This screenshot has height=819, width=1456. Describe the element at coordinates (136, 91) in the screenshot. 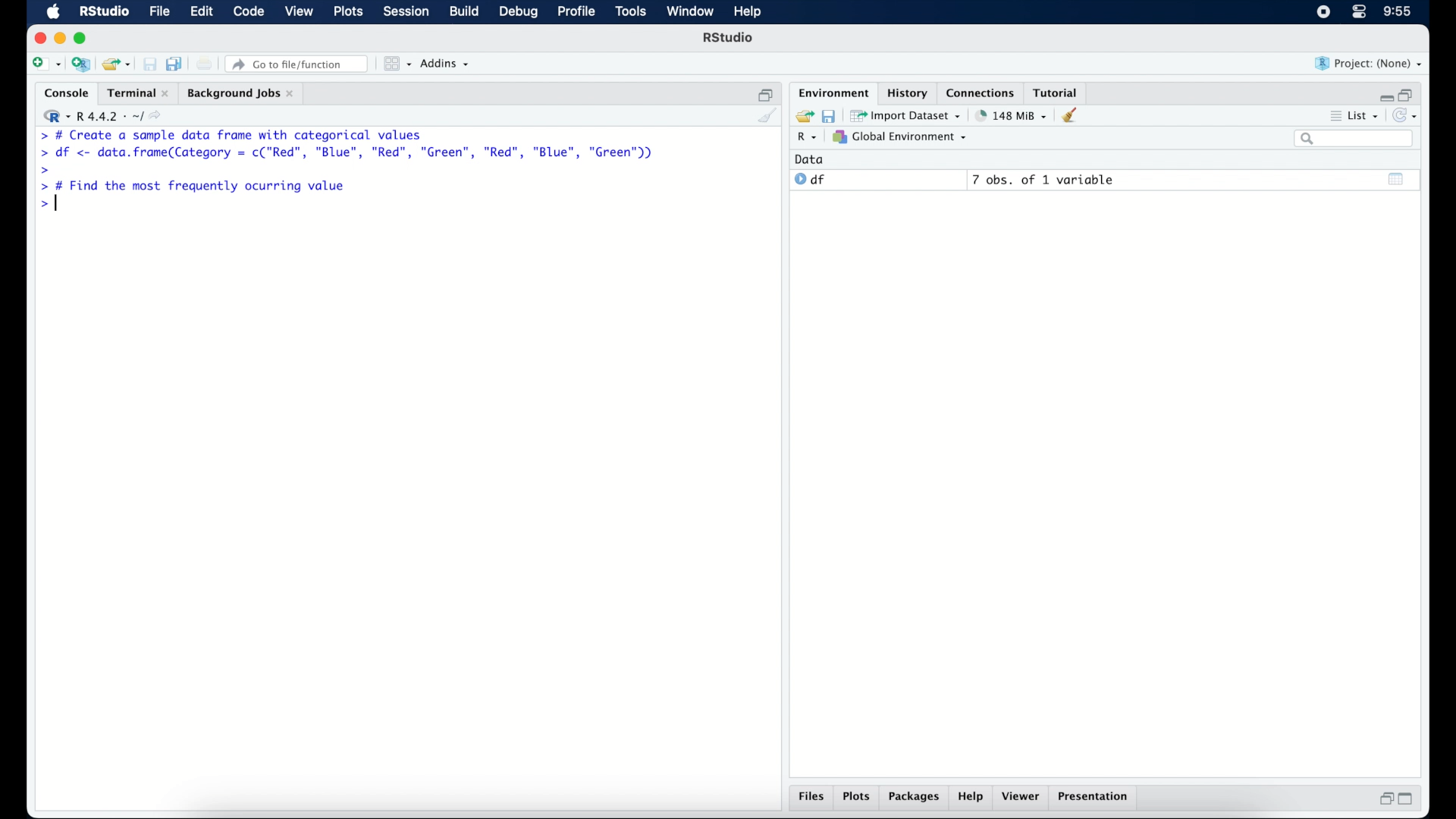

I see `terminal` at that location.